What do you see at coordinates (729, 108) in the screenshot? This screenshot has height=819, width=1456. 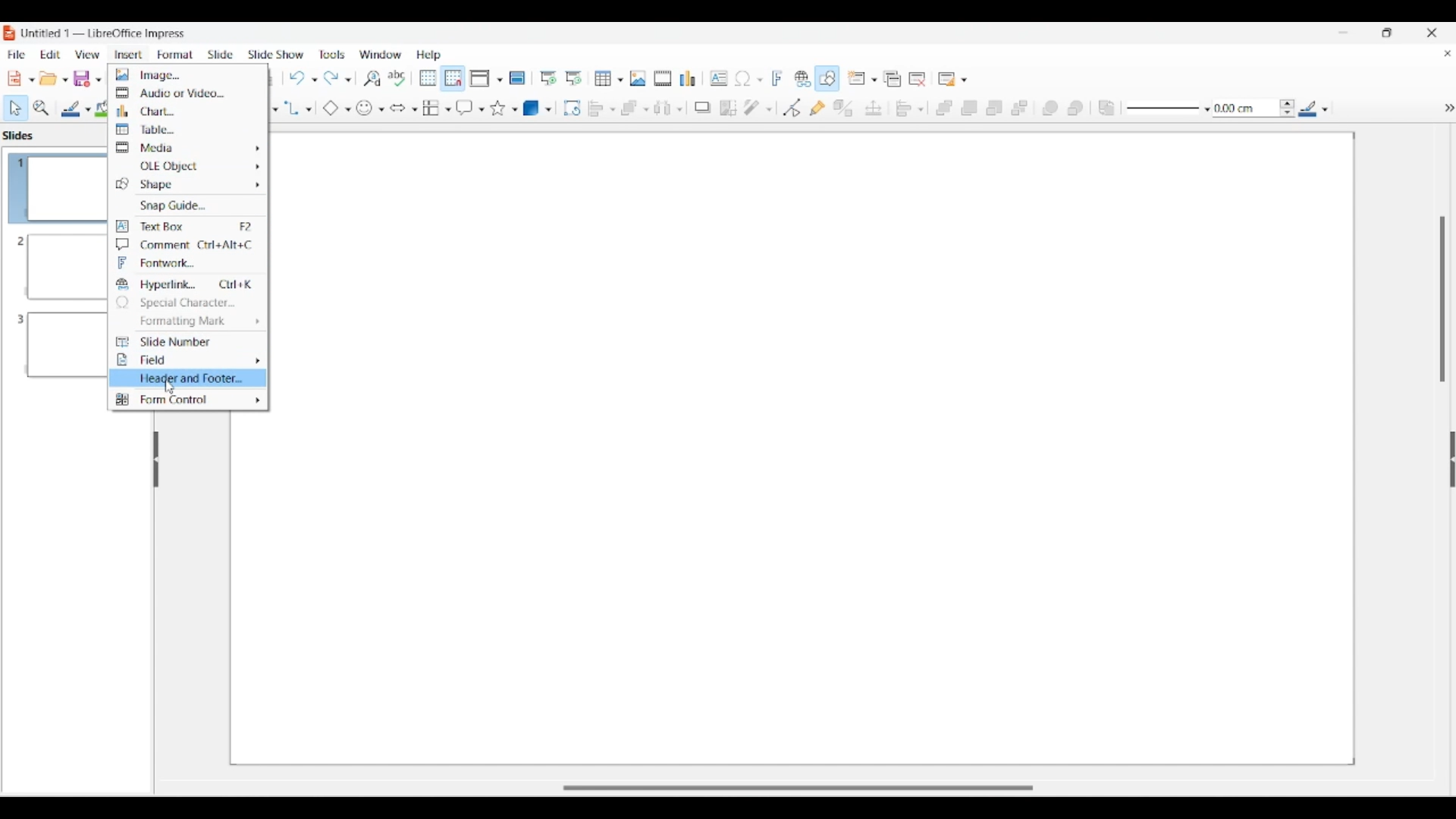 I see `Crop image` at bounding box center [729, 108].